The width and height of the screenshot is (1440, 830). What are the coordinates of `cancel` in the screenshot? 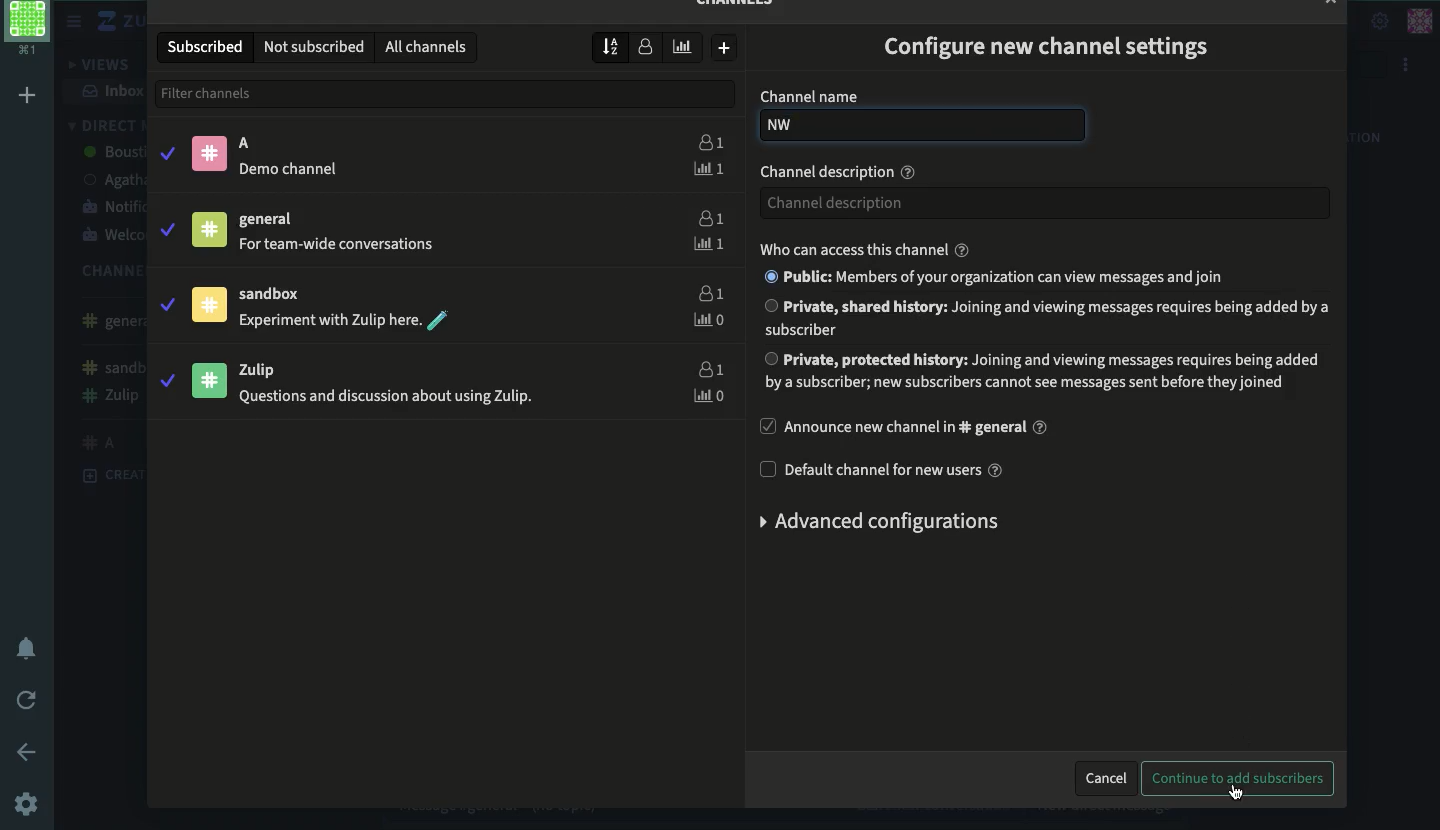 It's located at (1104, 780).